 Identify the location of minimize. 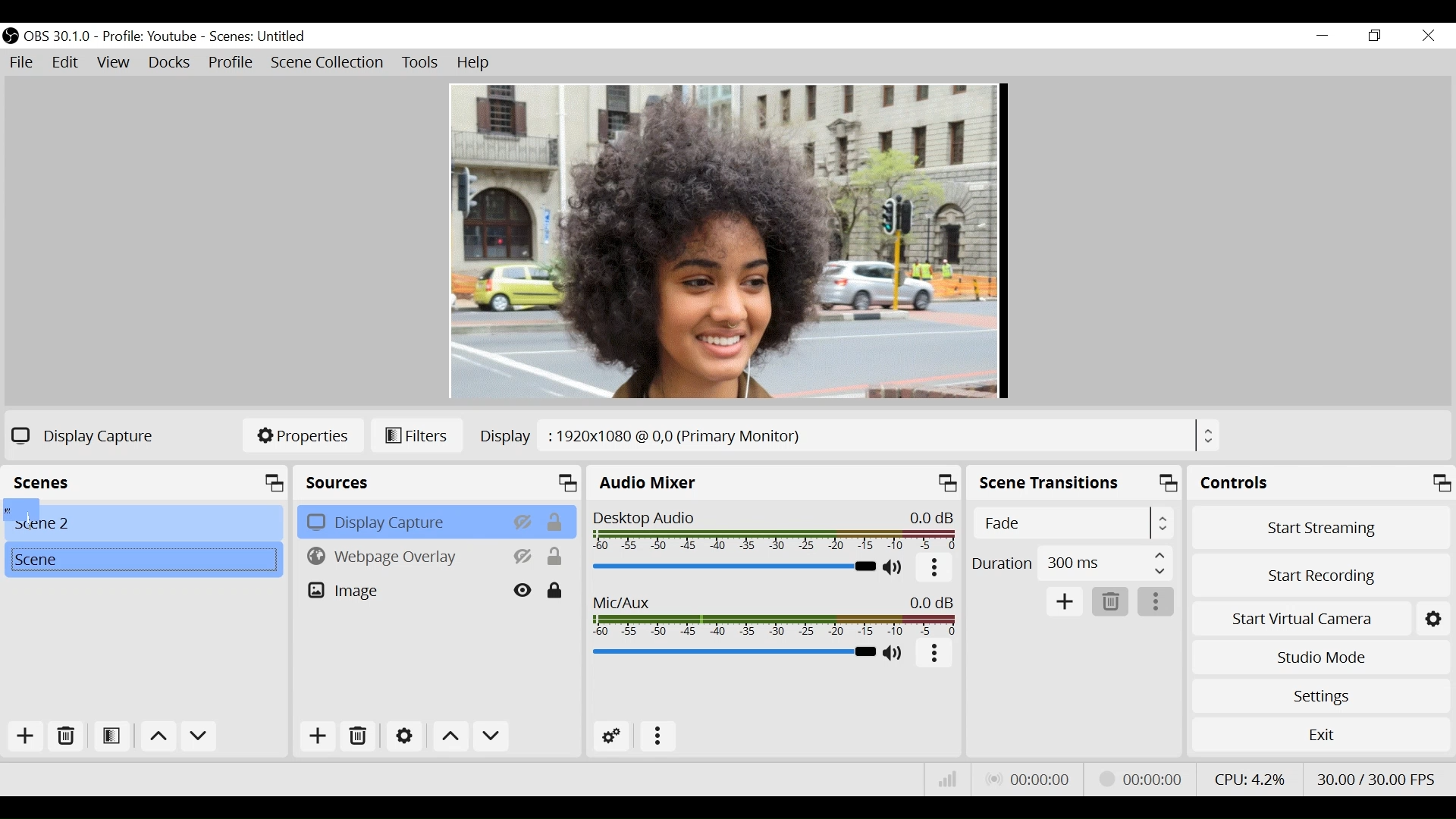
(1321, 35).